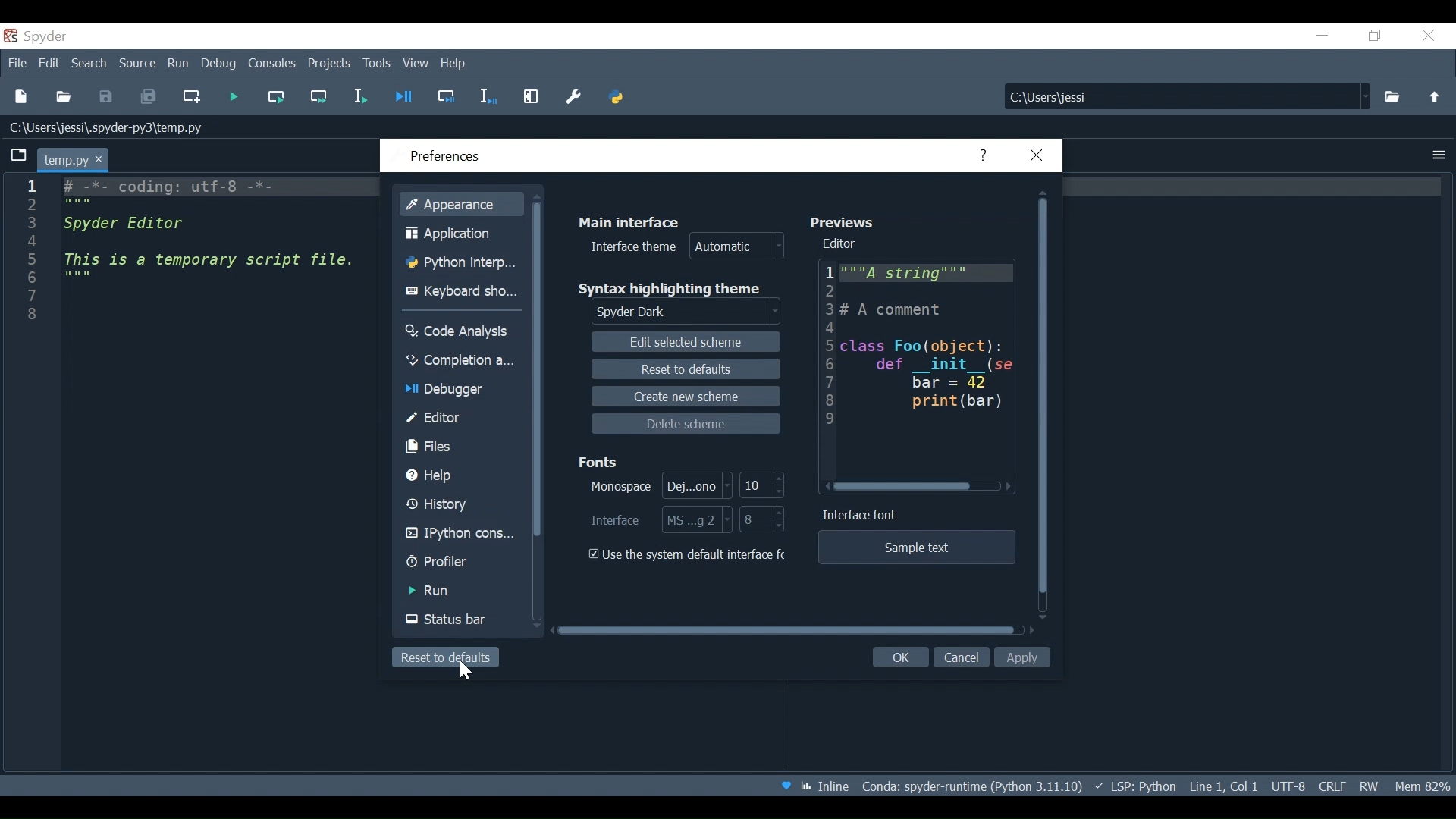 Image resolution: width=1456 pixels, height=819 pixels. What do you see at coordinates (462, 447) in the screenshot?
I see `Files` at bounding box center [462, 447].